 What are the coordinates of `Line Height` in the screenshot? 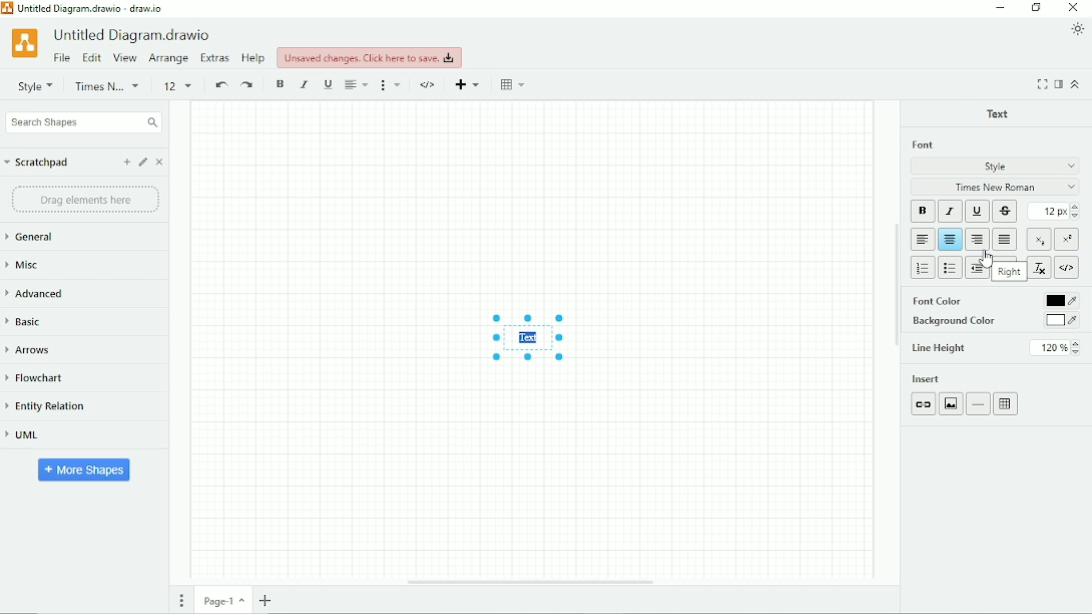 It's located at (964, 347).